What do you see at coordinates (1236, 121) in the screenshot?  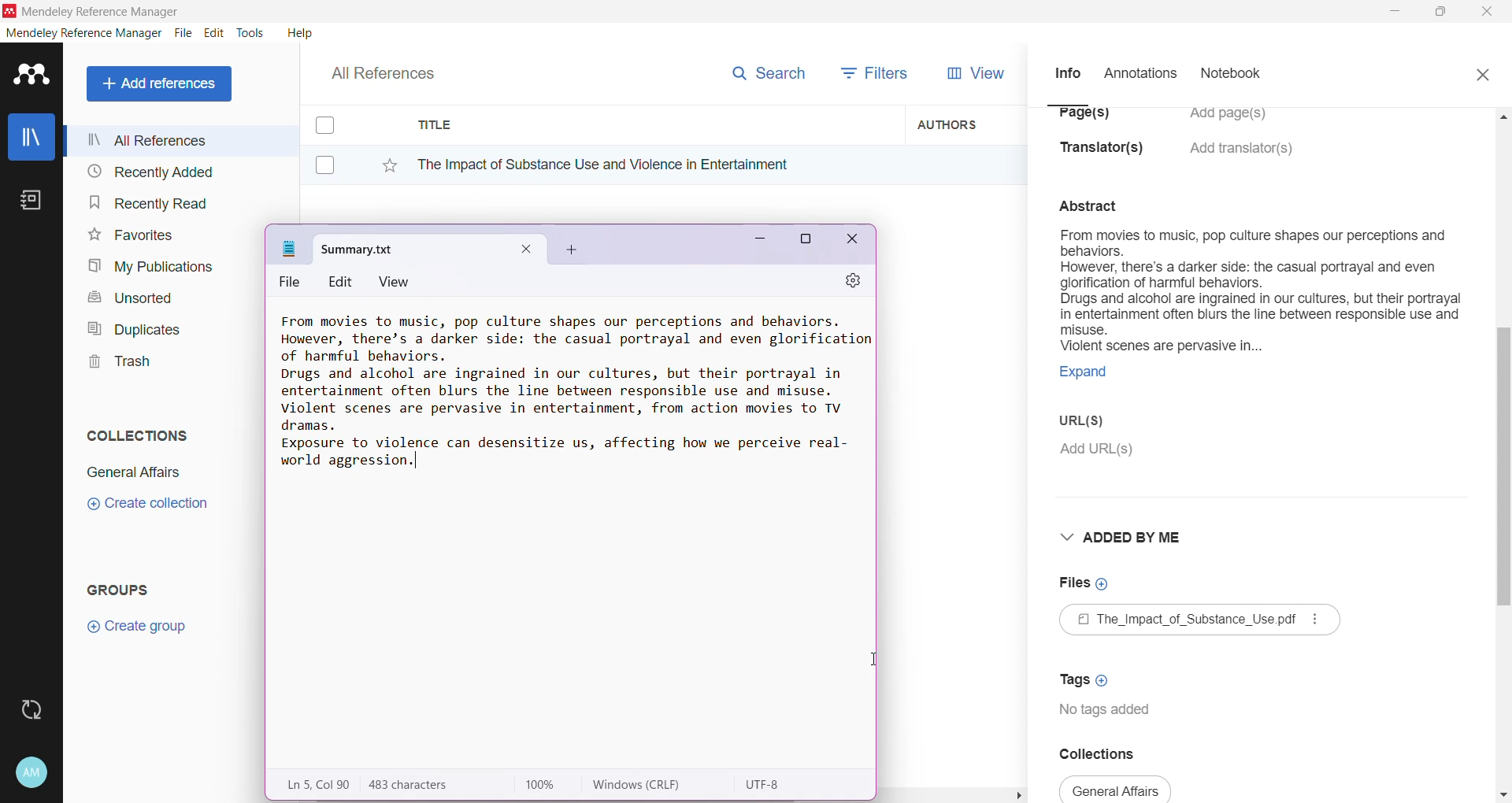 I see `Click to Add Pages` at bounding box center [1236, 121].